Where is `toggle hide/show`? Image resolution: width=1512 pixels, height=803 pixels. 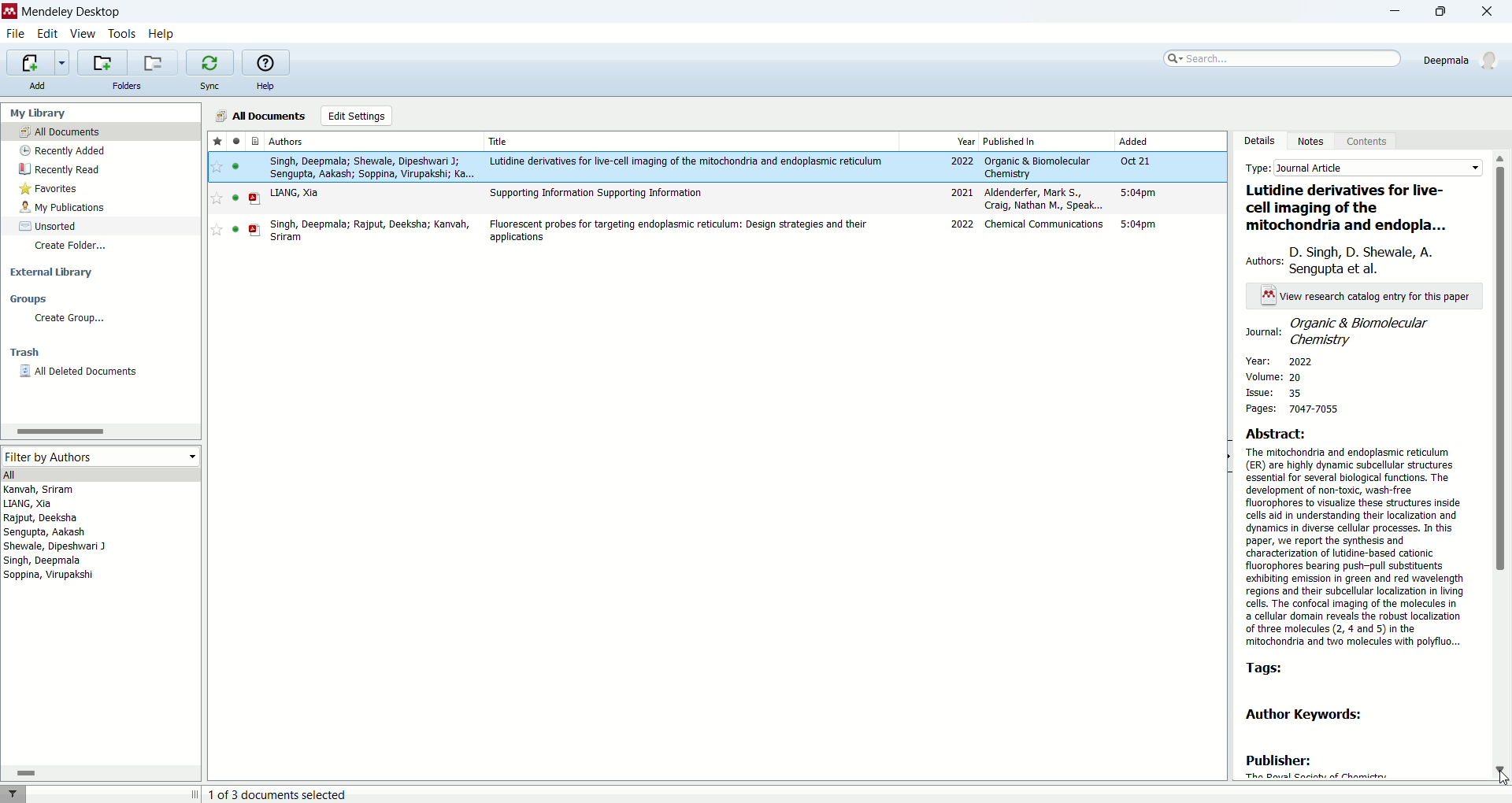
toggle hide/show is located at coordinates (1228, 457).